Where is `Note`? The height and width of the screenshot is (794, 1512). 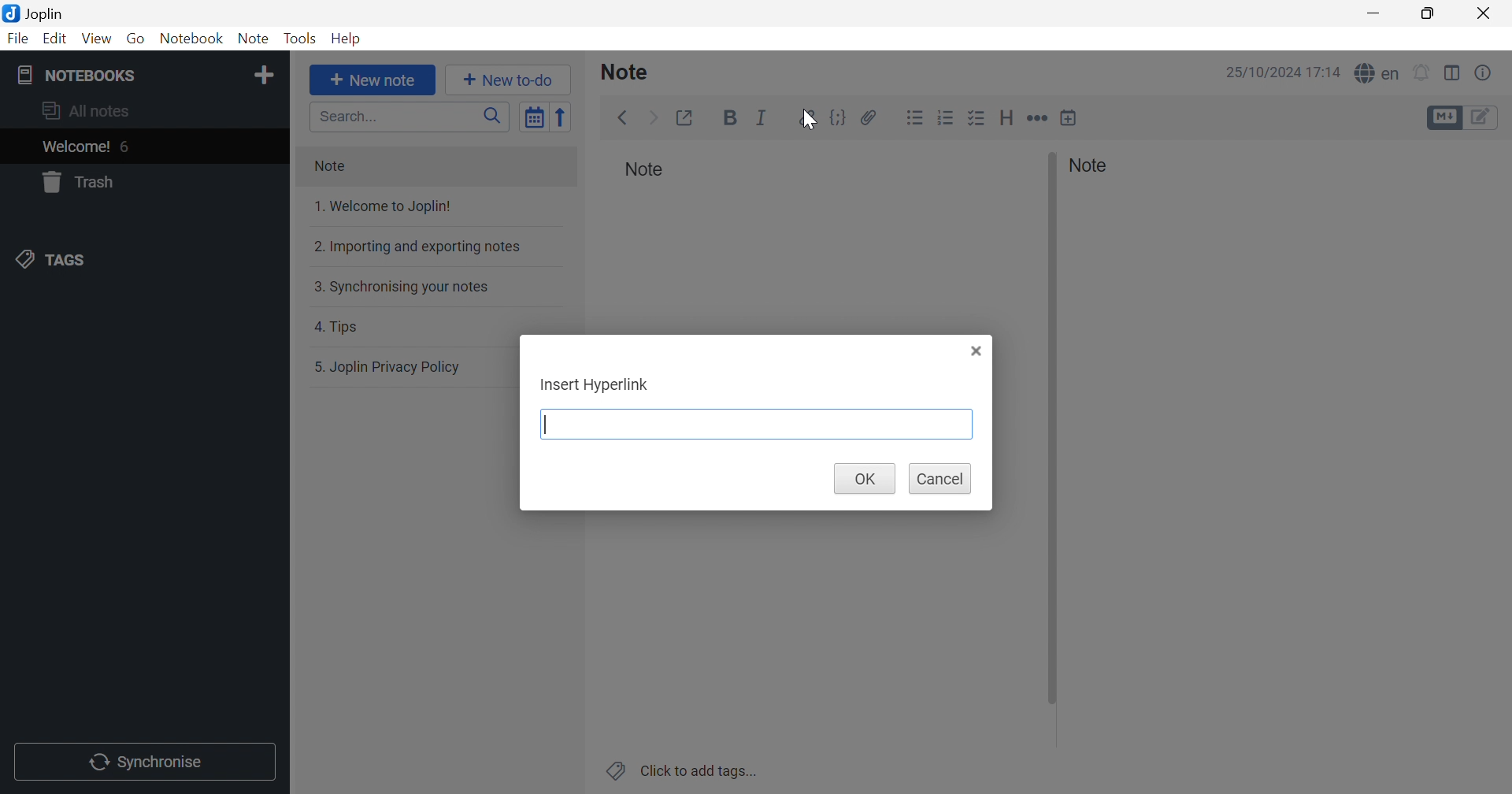
Note is located at coordinates (645, 173).